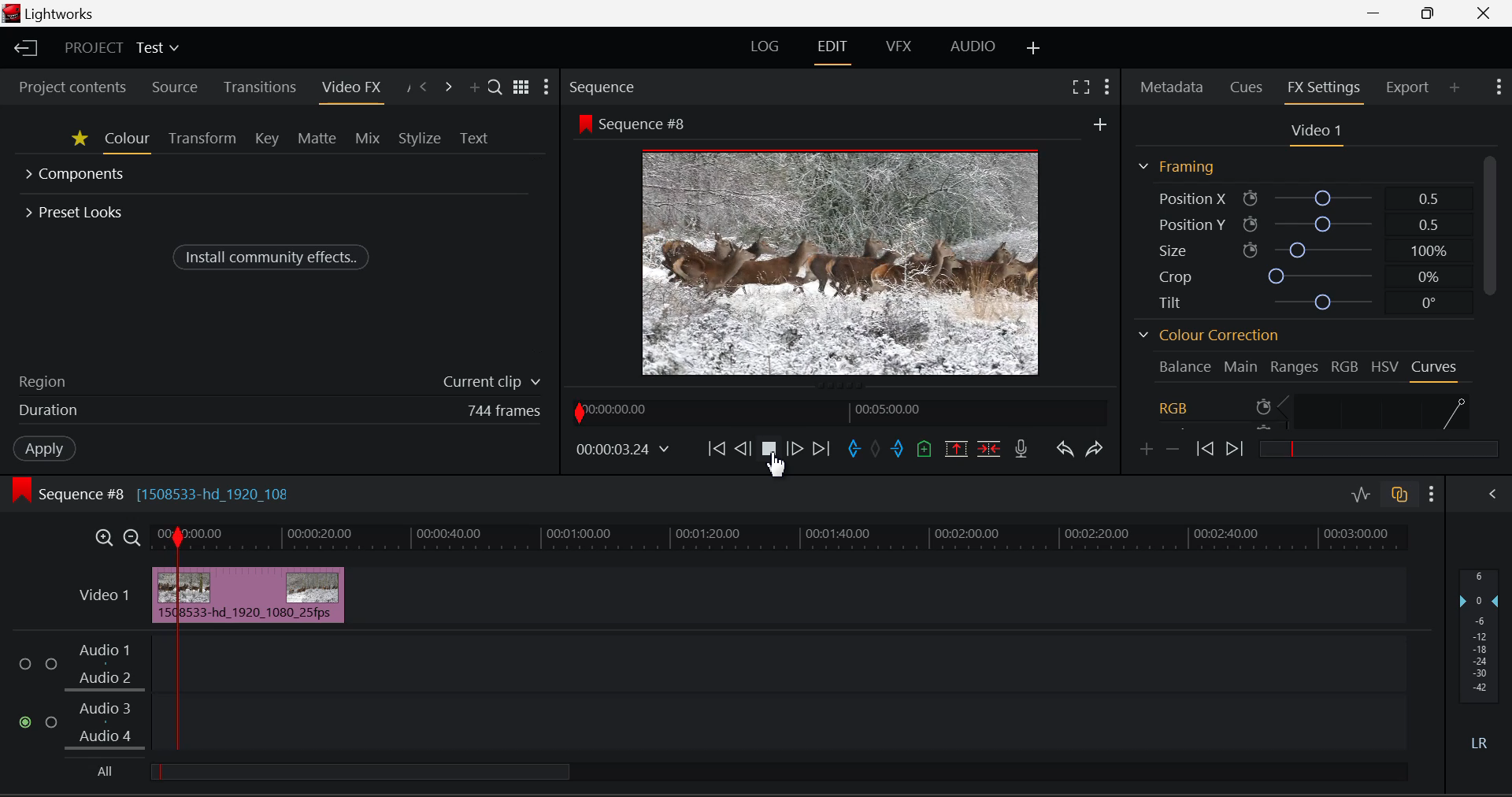  What do you see at coordinates (200, 140) in the screenshot?
I see `Transform` at bounding box center [200, 140].